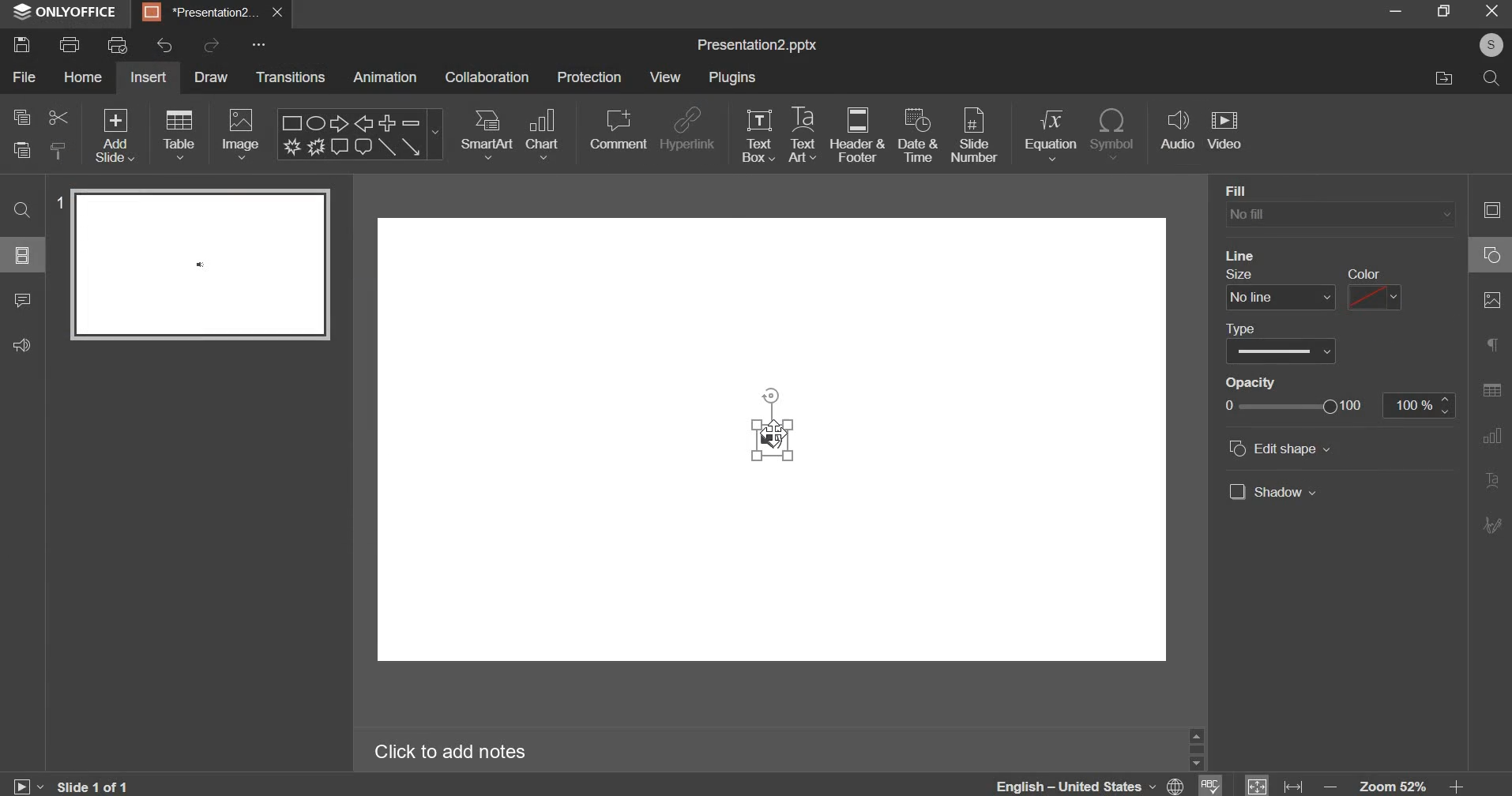  What do you see at coordinates (758, 133) in the screenshot?
I see `text box` at bounding box center [758, 133].